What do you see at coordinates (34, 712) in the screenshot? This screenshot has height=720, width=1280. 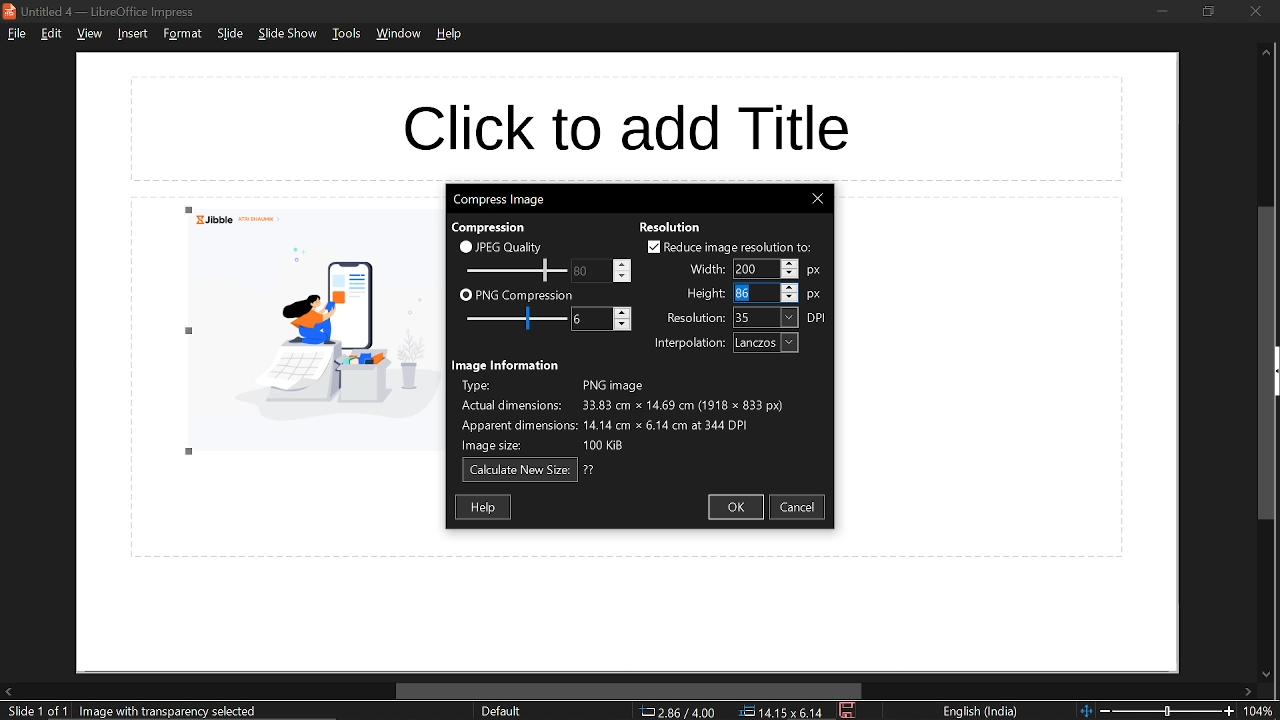 I see `current slide` at bounding box center [34, 712].